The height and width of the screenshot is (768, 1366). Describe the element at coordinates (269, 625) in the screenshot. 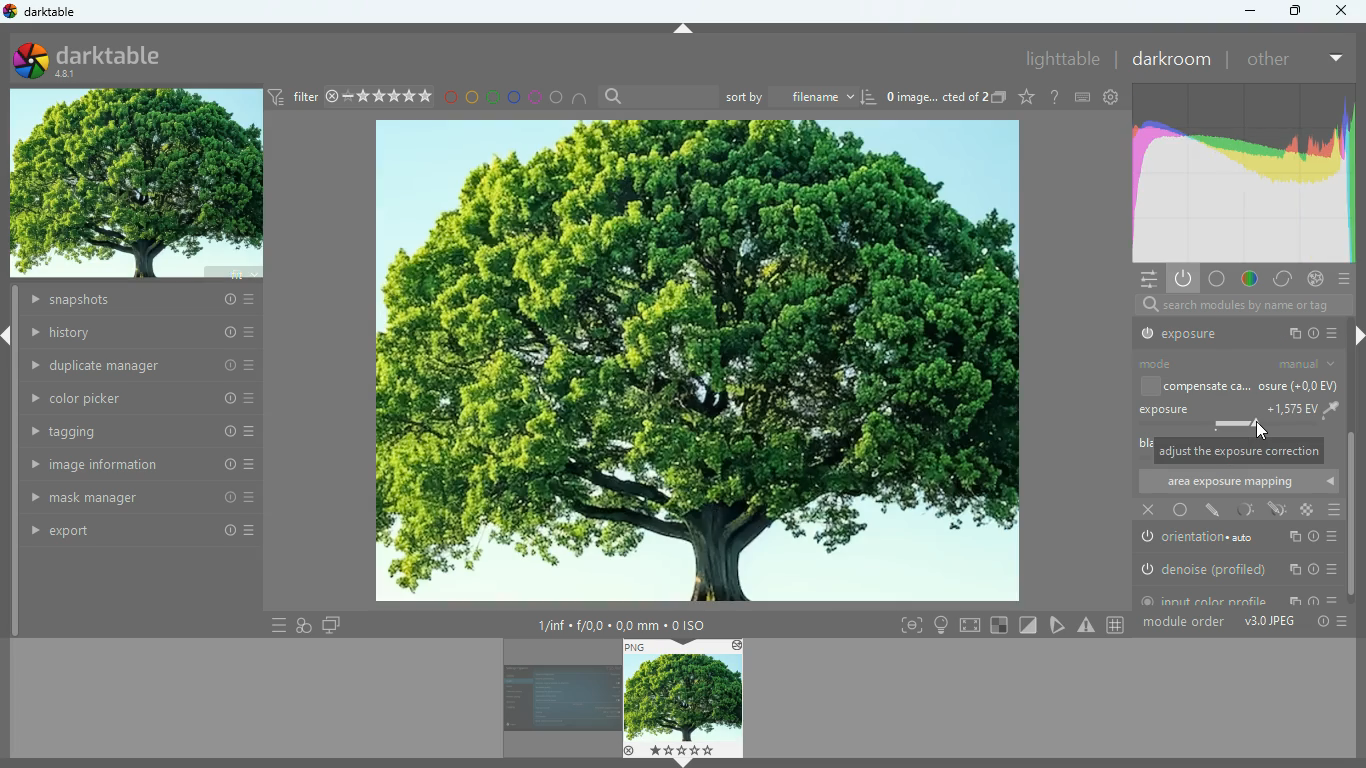

I see `menu` at that location.